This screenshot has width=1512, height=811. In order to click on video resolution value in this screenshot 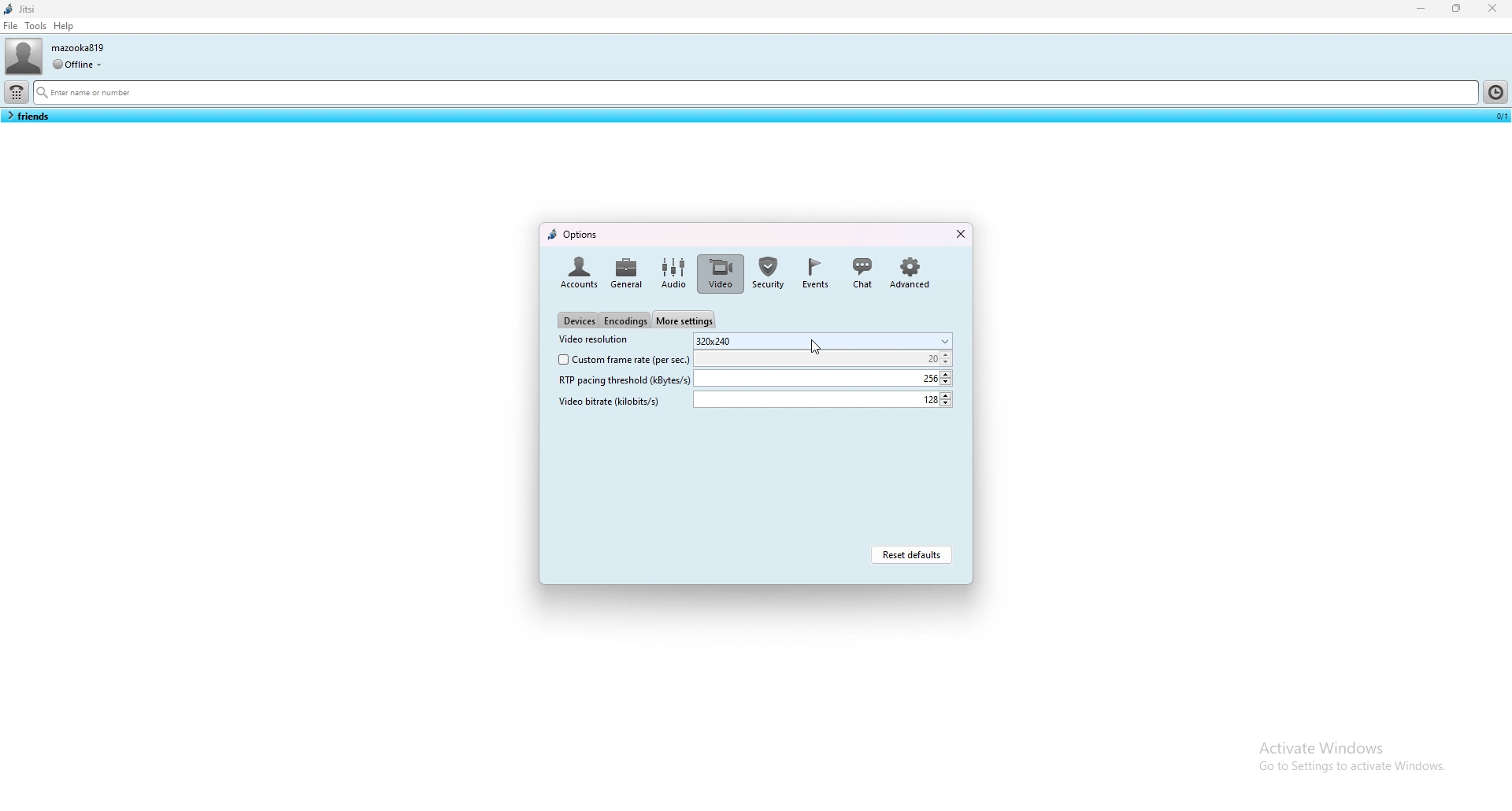, I will do `click(824, 340)`.